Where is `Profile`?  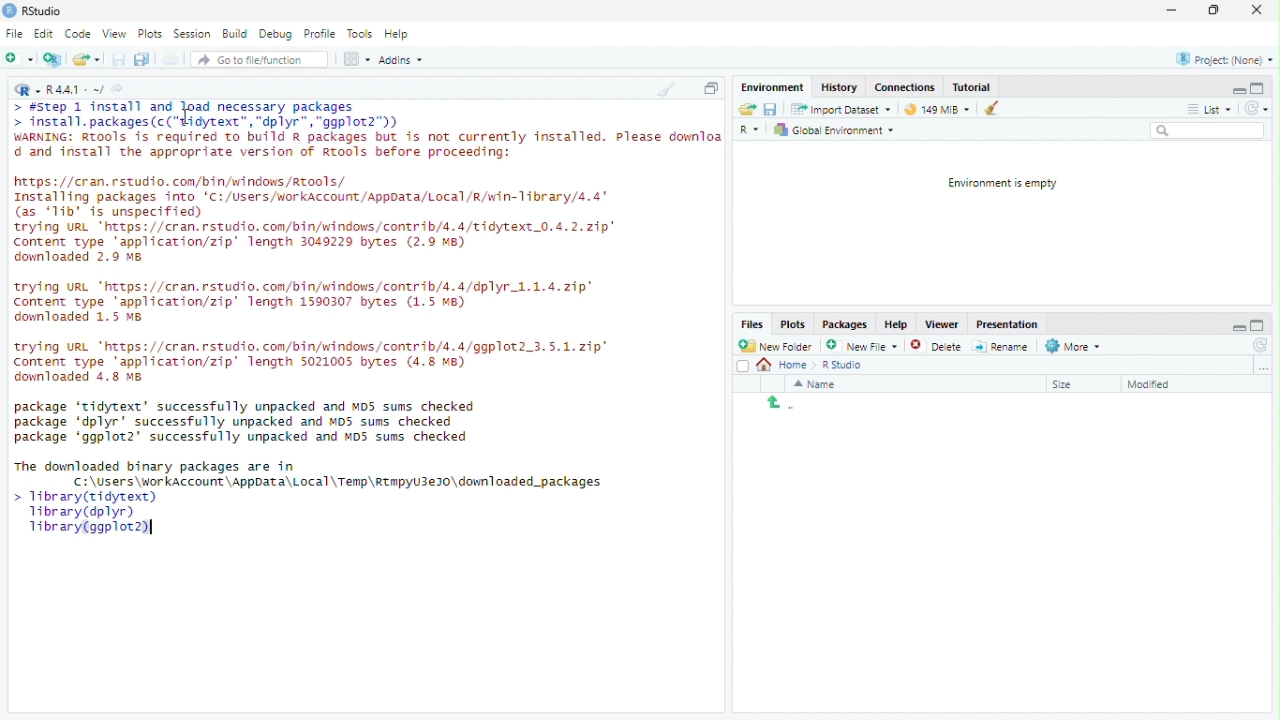
Profile is located at coordinates (319, 33).